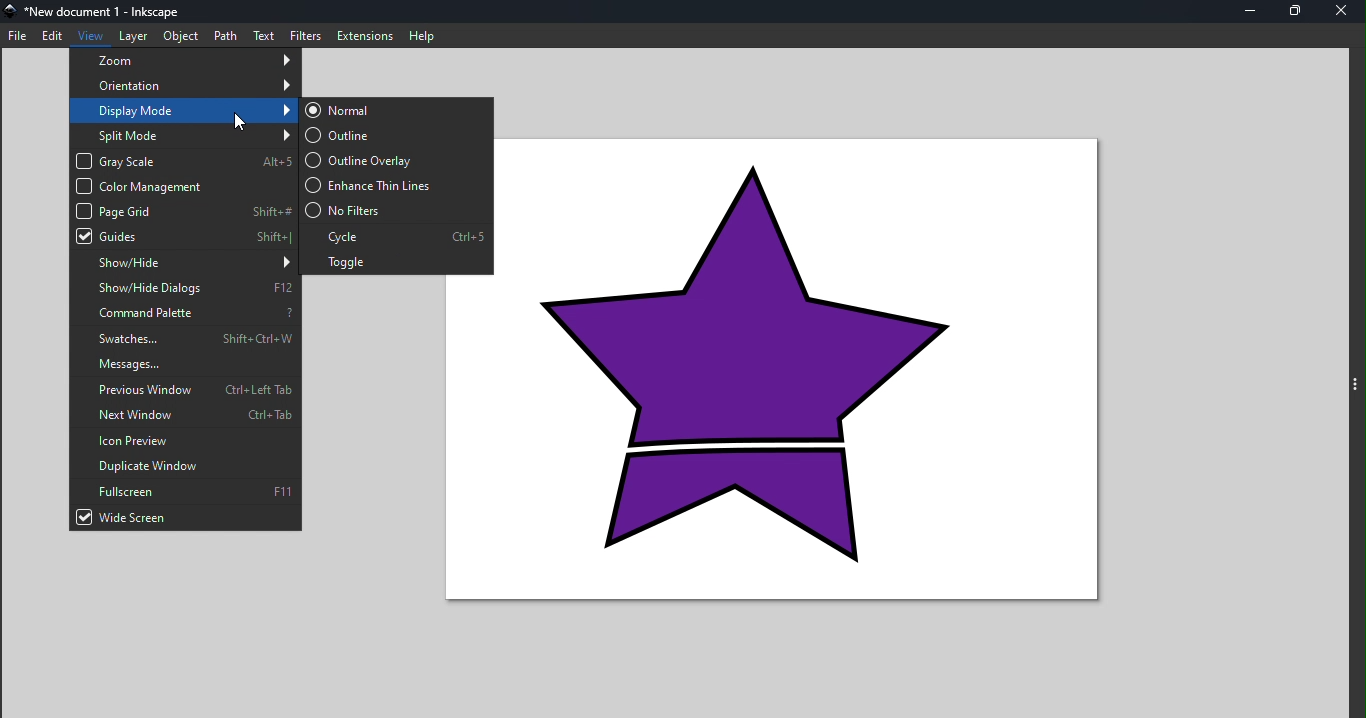 This screenshot has height=718, width=1366. Describe the element at coordinates (186, 389) in the screenshot. I see `Previous window` at that location.